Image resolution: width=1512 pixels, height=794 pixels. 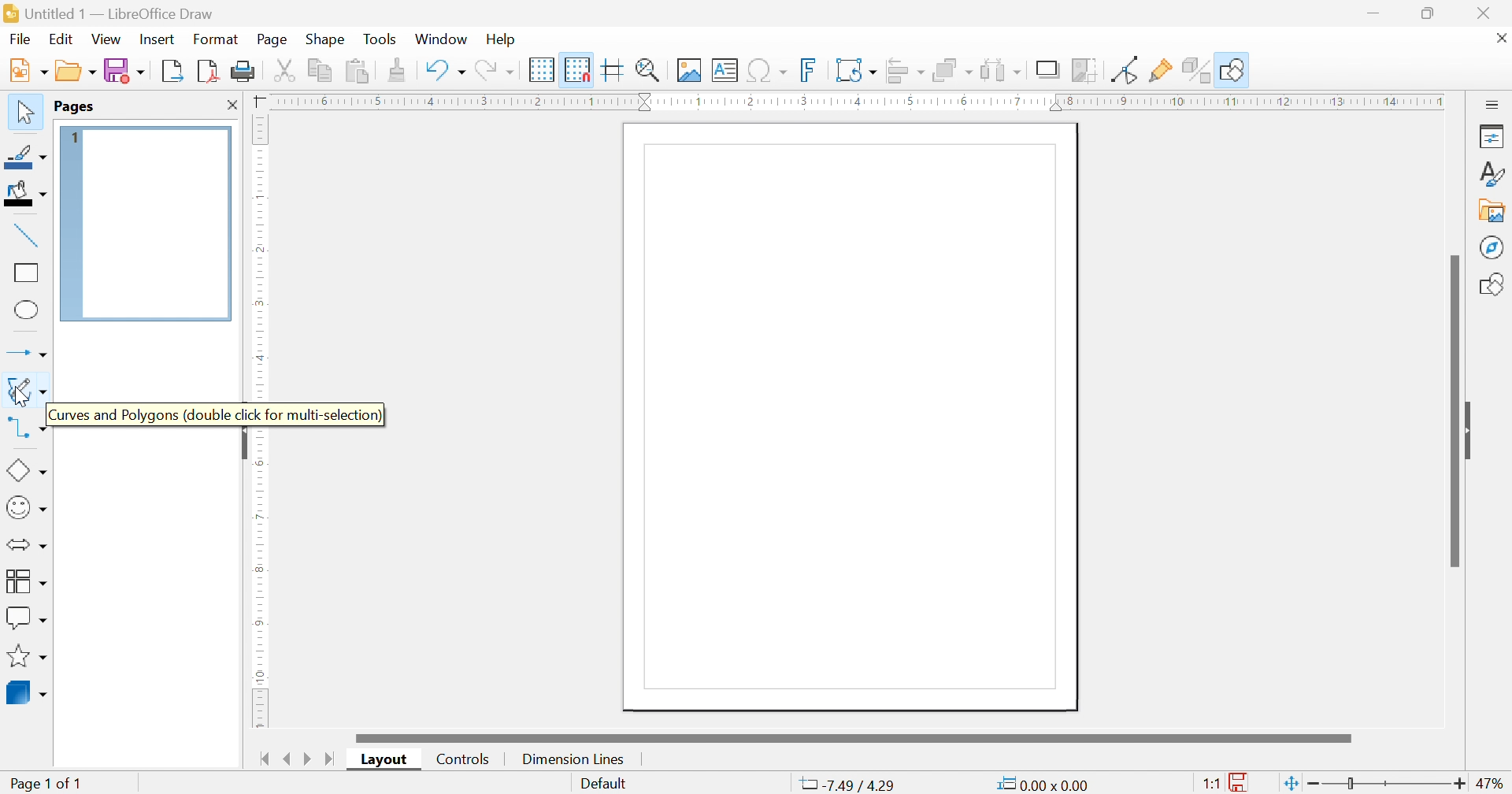 I want to click on format, so click(x=217, y=38).